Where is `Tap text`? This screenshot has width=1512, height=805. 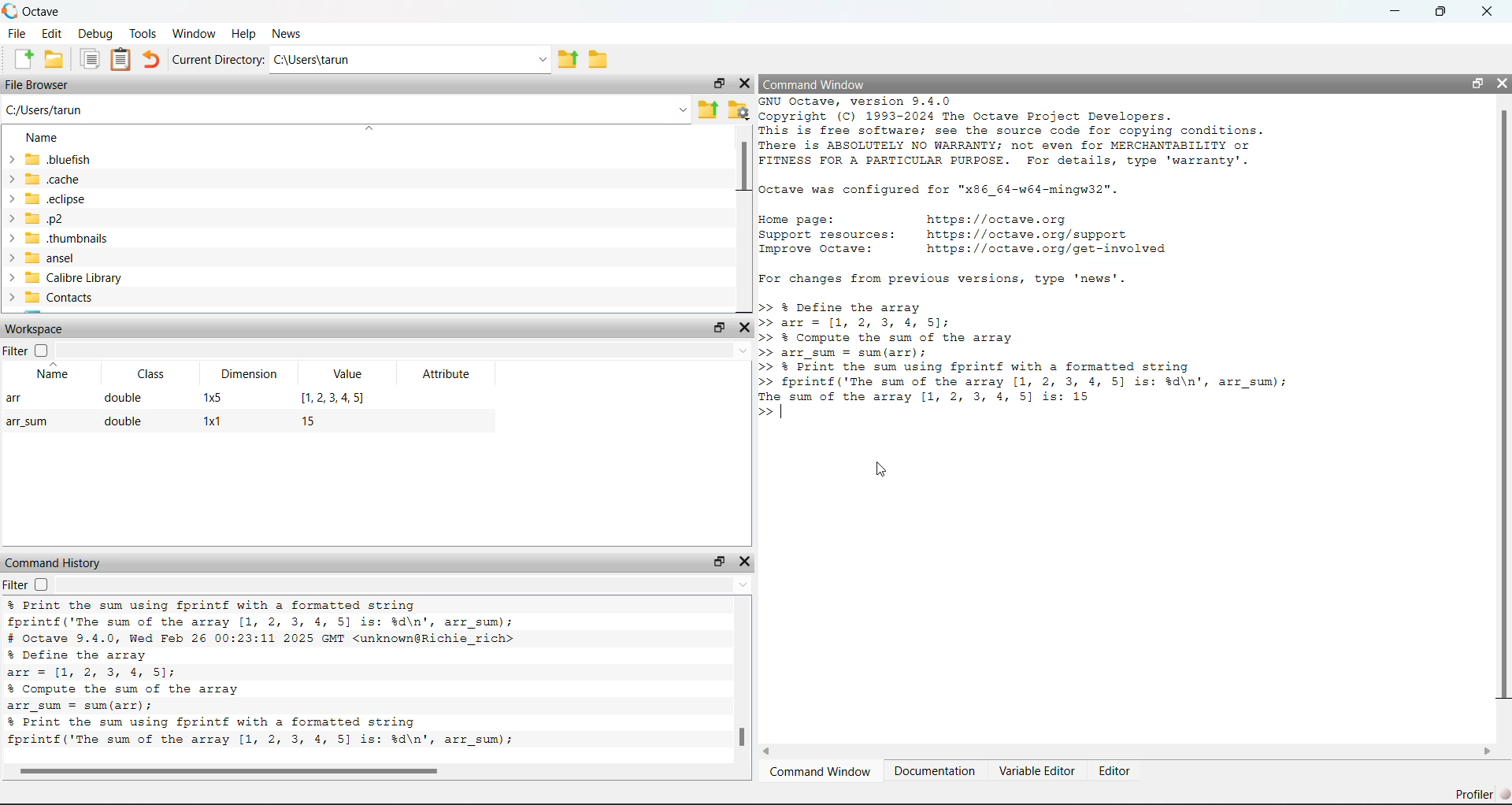 Tap text is located at coordinates (786, 414).